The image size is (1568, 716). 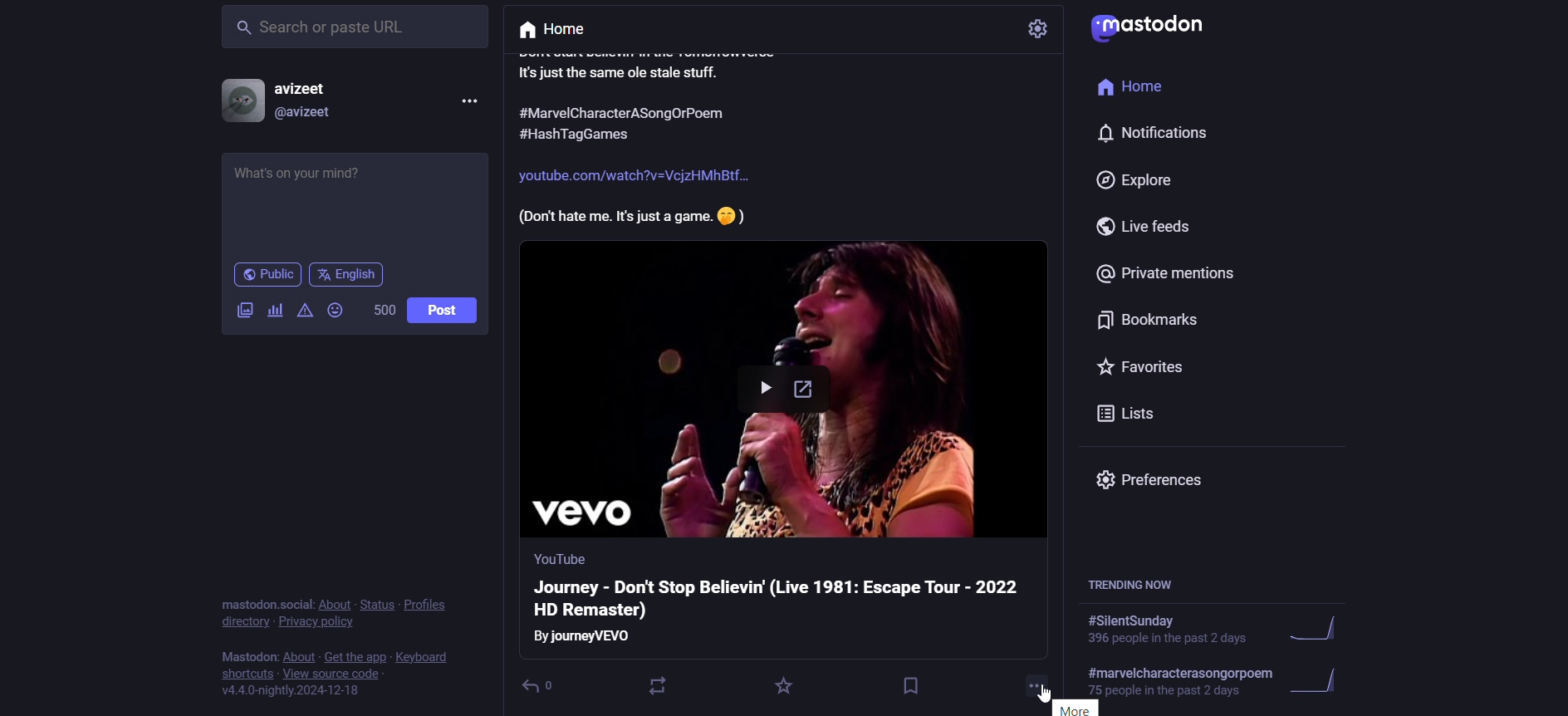 I want to click on post thumbnail, so click(x=786, y=393).